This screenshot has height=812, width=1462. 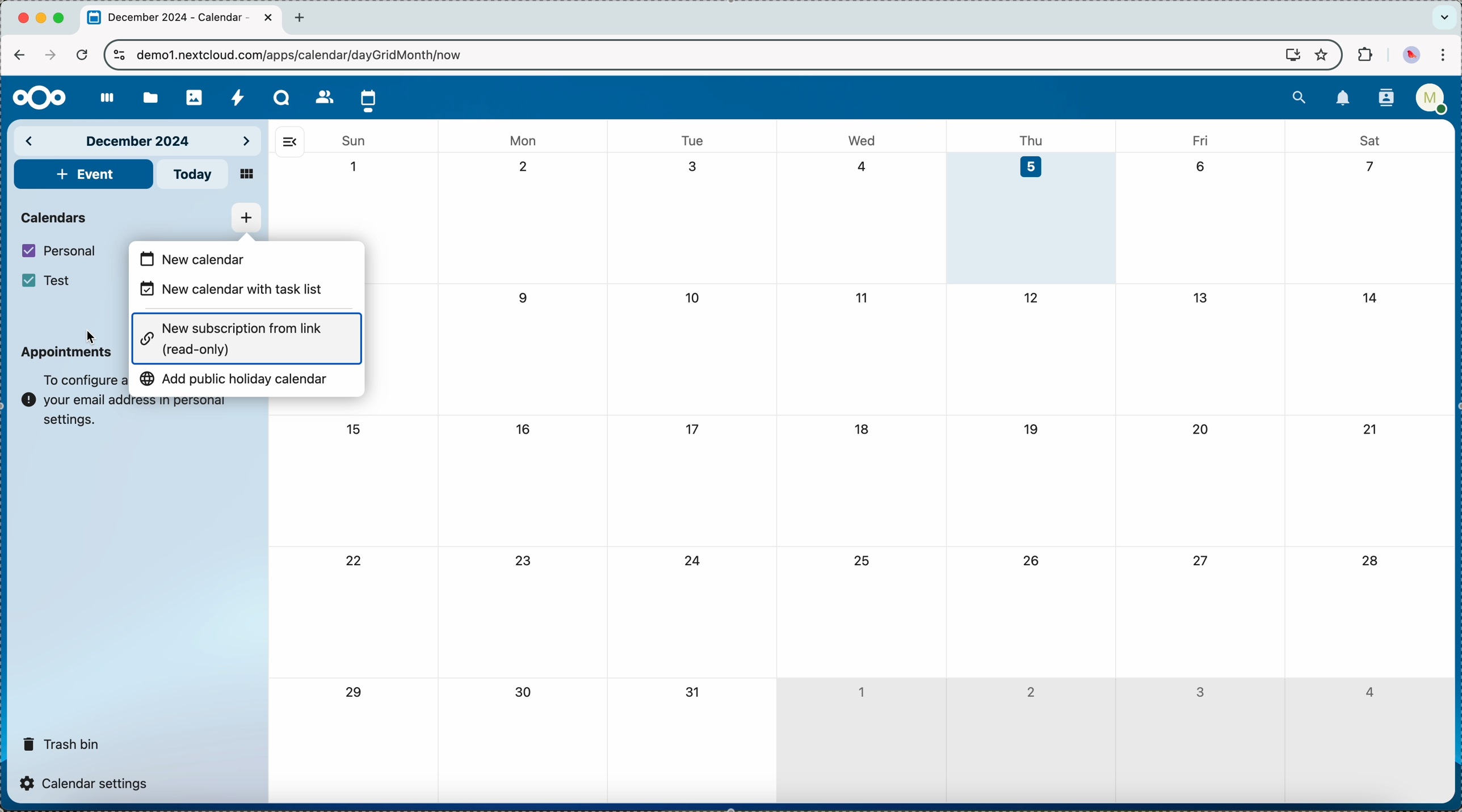 What do you see at coordinates (182, 19) in the screenshot?
I see `tab` at bounding box center [182, 19].